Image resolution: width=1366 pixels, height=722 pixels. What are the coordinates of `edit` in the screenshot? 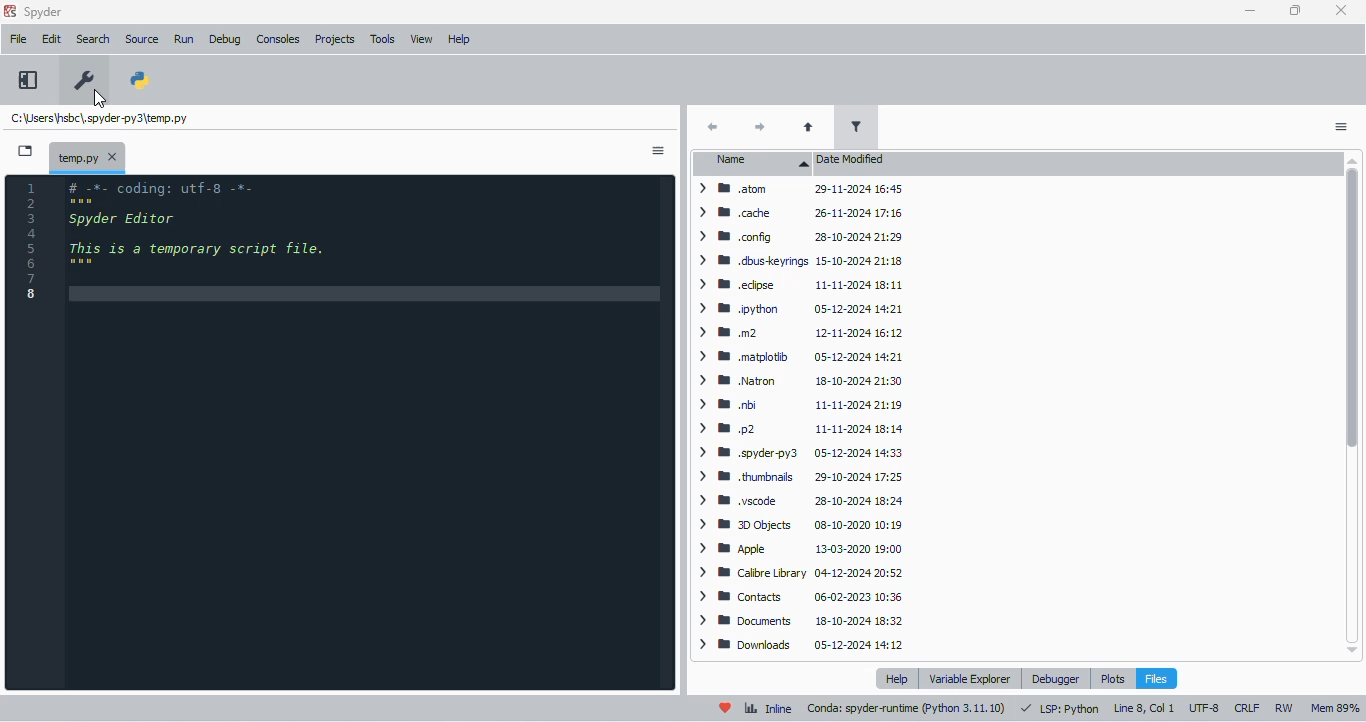 It's located at (52, 39).